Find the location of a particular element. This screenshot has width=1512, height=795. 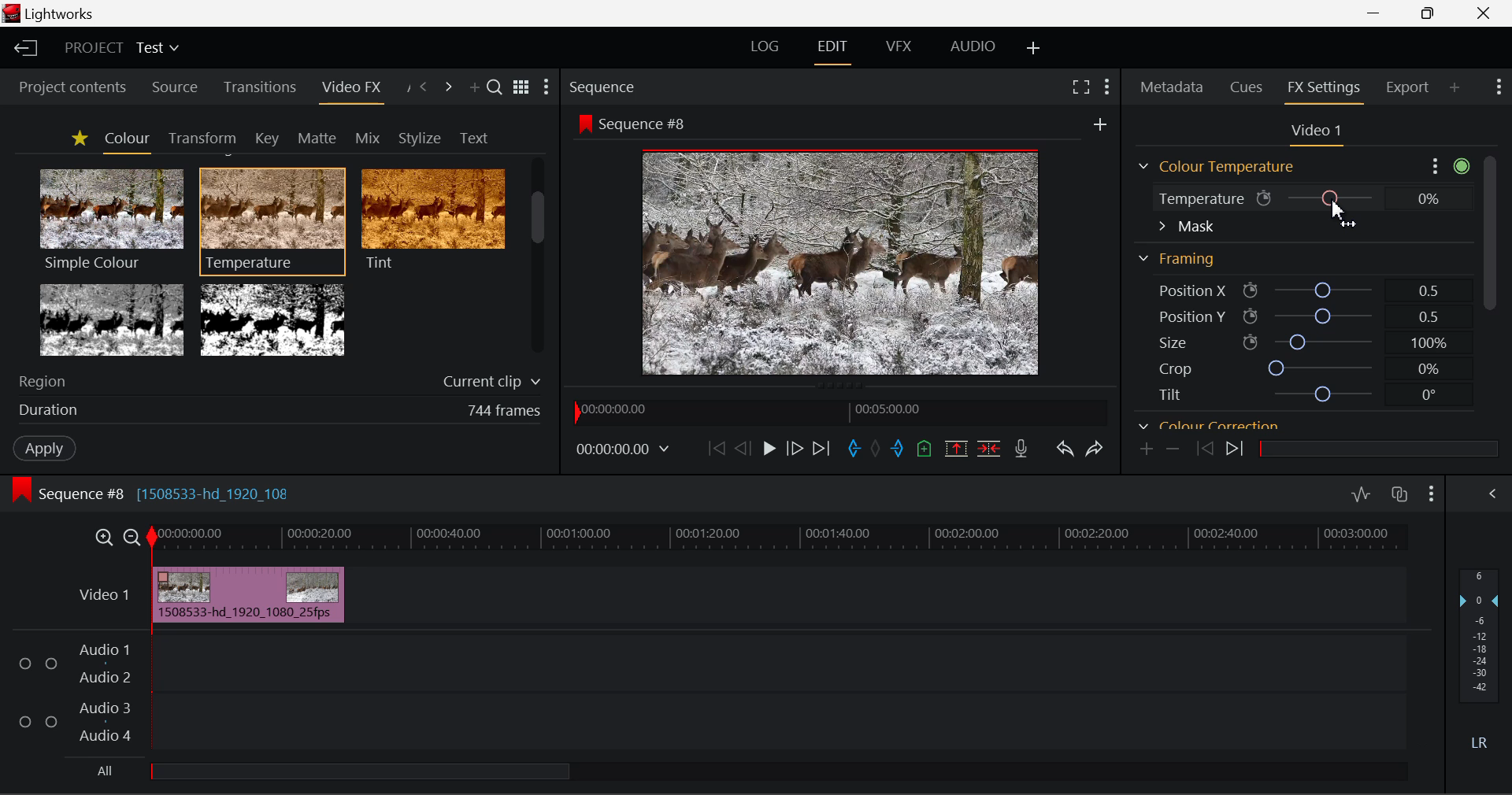

00:00:00.00 is located at coordinates (625, 449).